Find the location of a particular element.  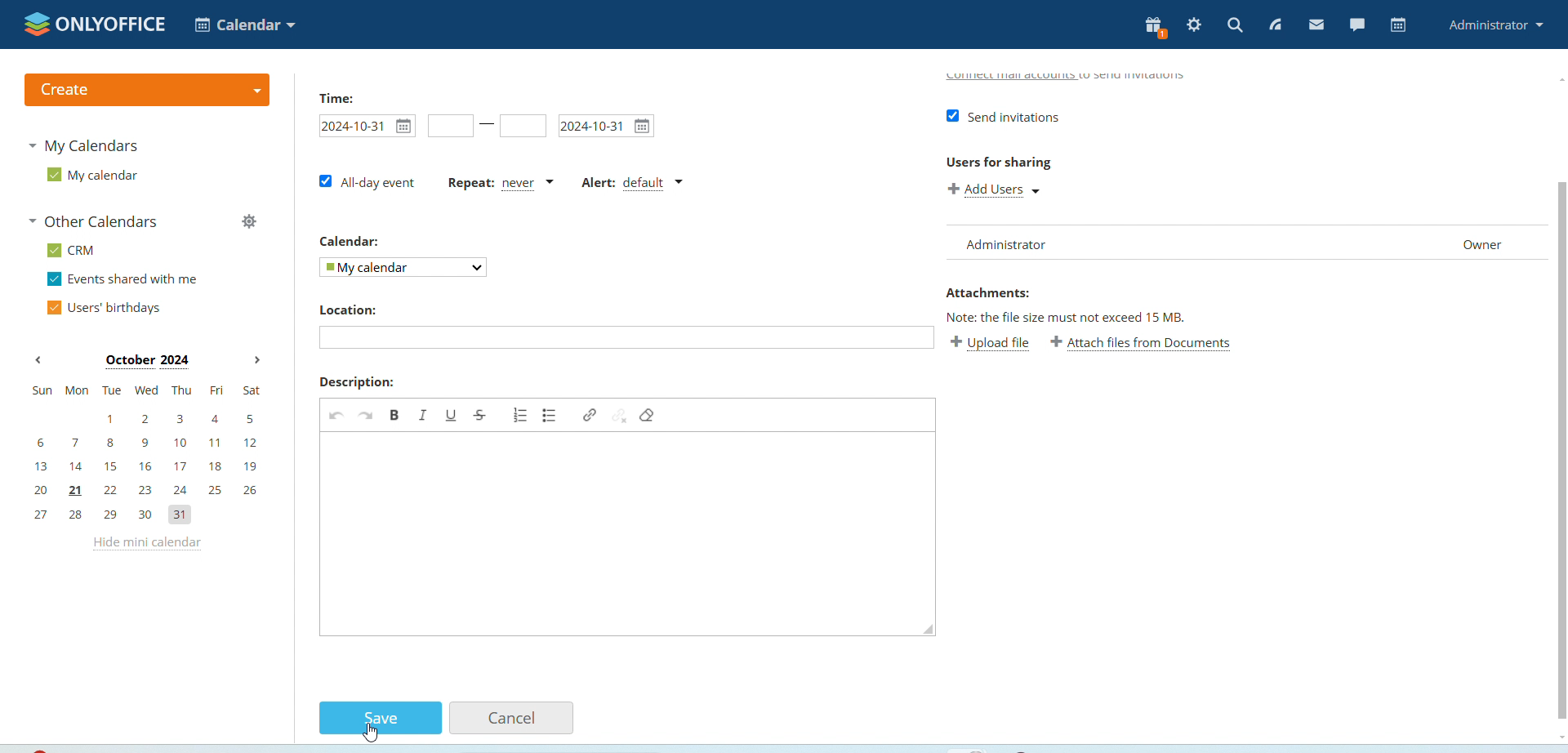

previous month is located at coordinates (38, 360).